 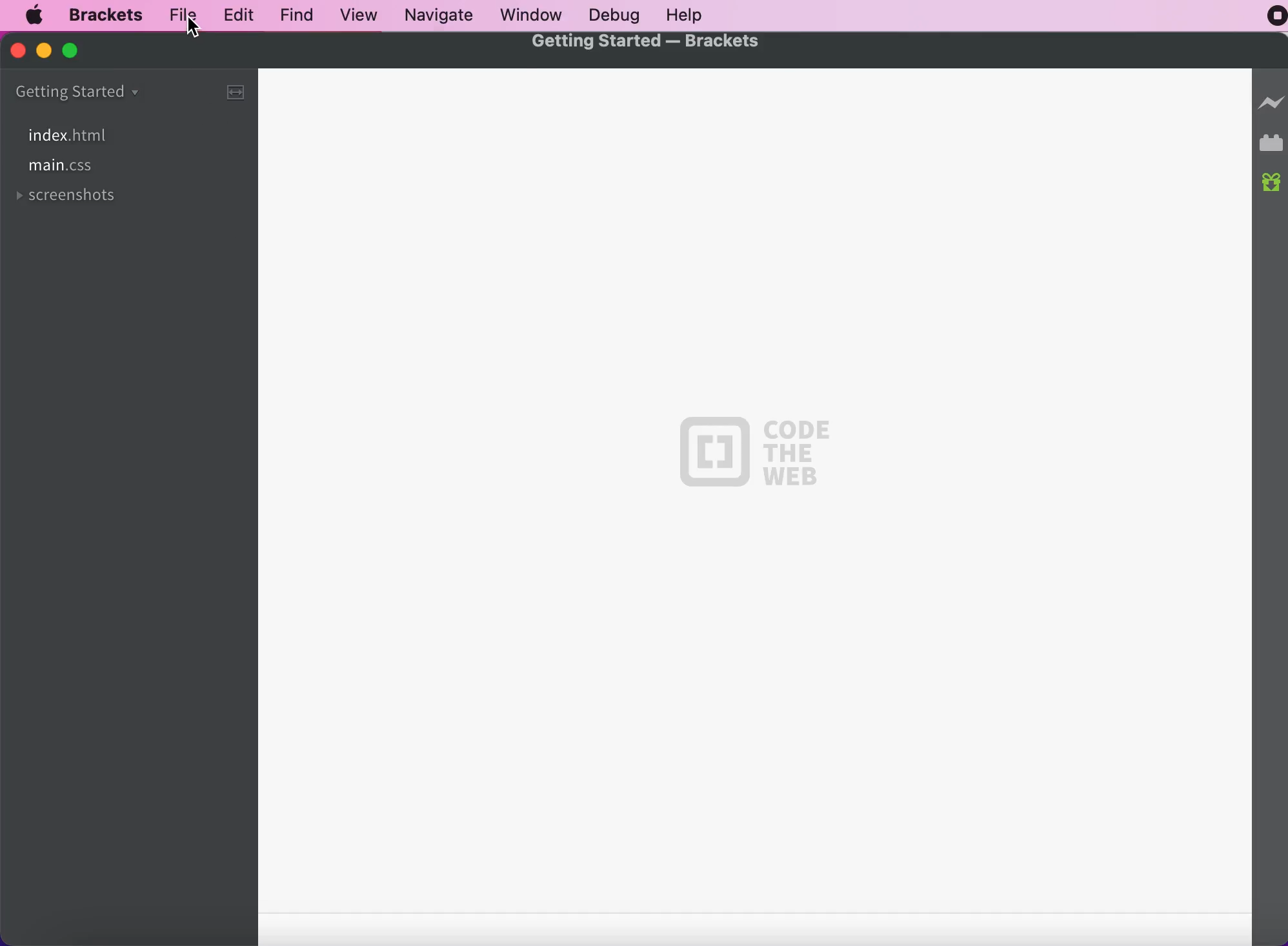 I want to click on folder getting started, so click(x=81, y=91).